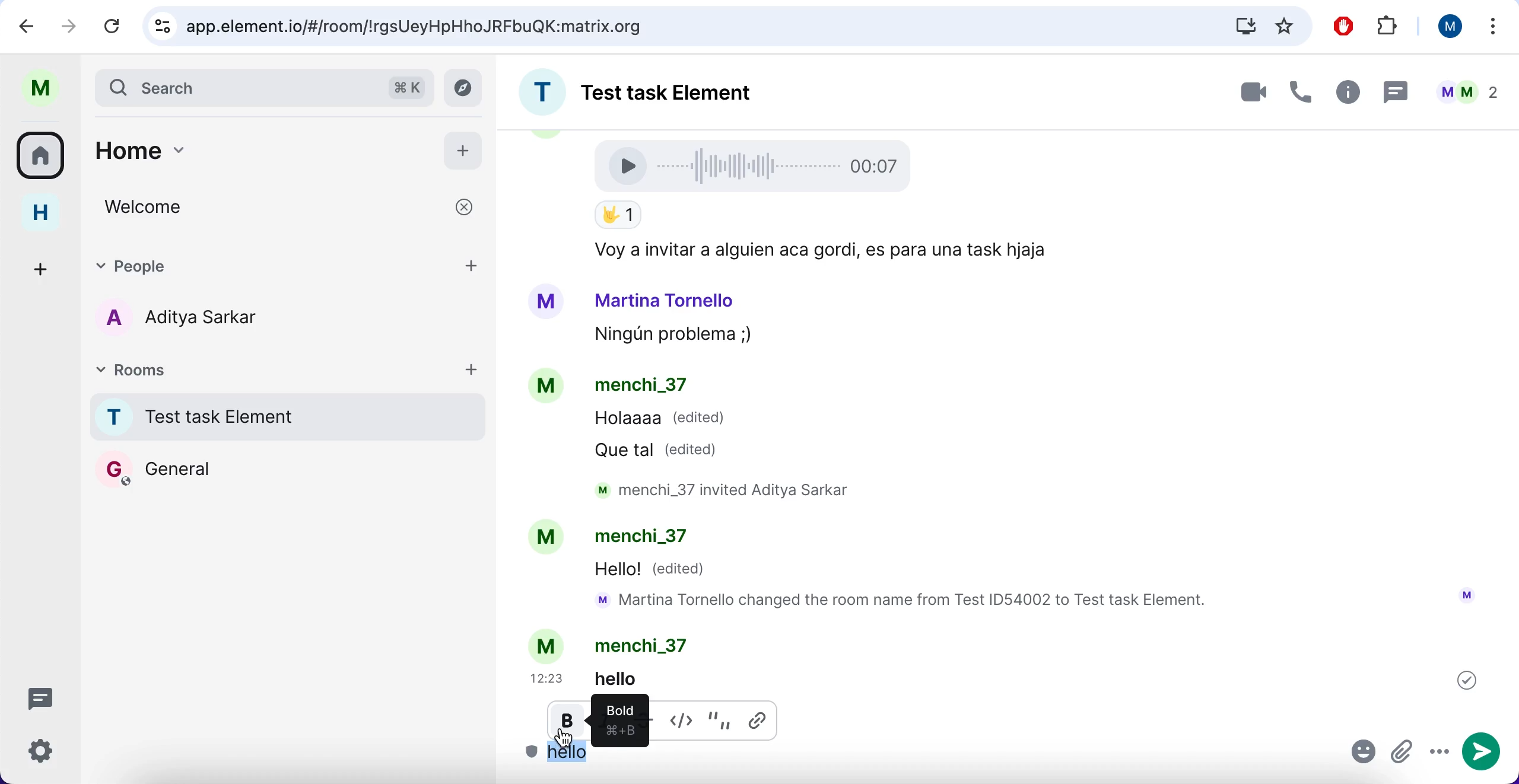  I want to click on cursor, so click(564, 743).